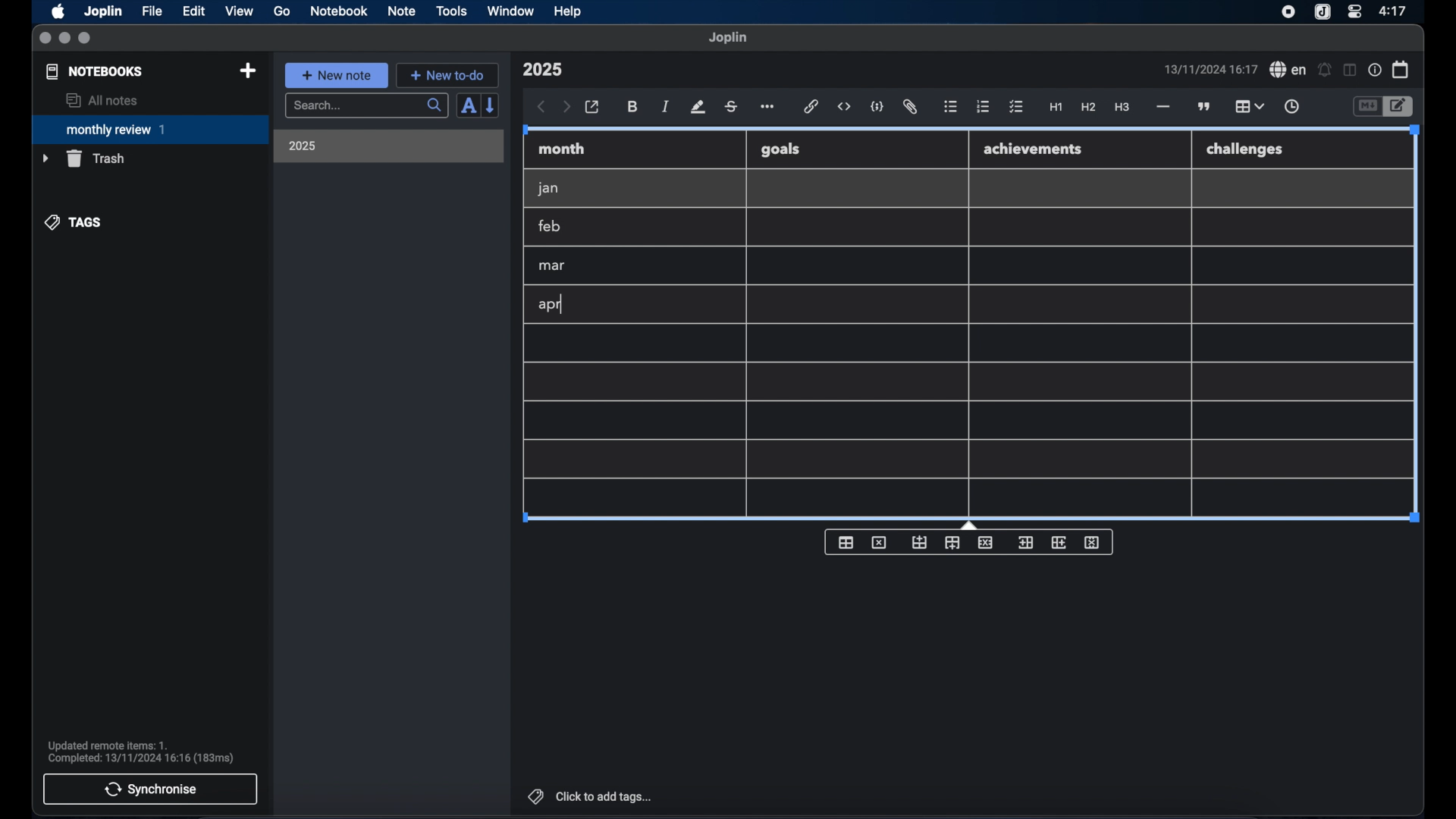 This screenshot has width=1456, height=819. I want to click on sort order field, so click(468, 106).